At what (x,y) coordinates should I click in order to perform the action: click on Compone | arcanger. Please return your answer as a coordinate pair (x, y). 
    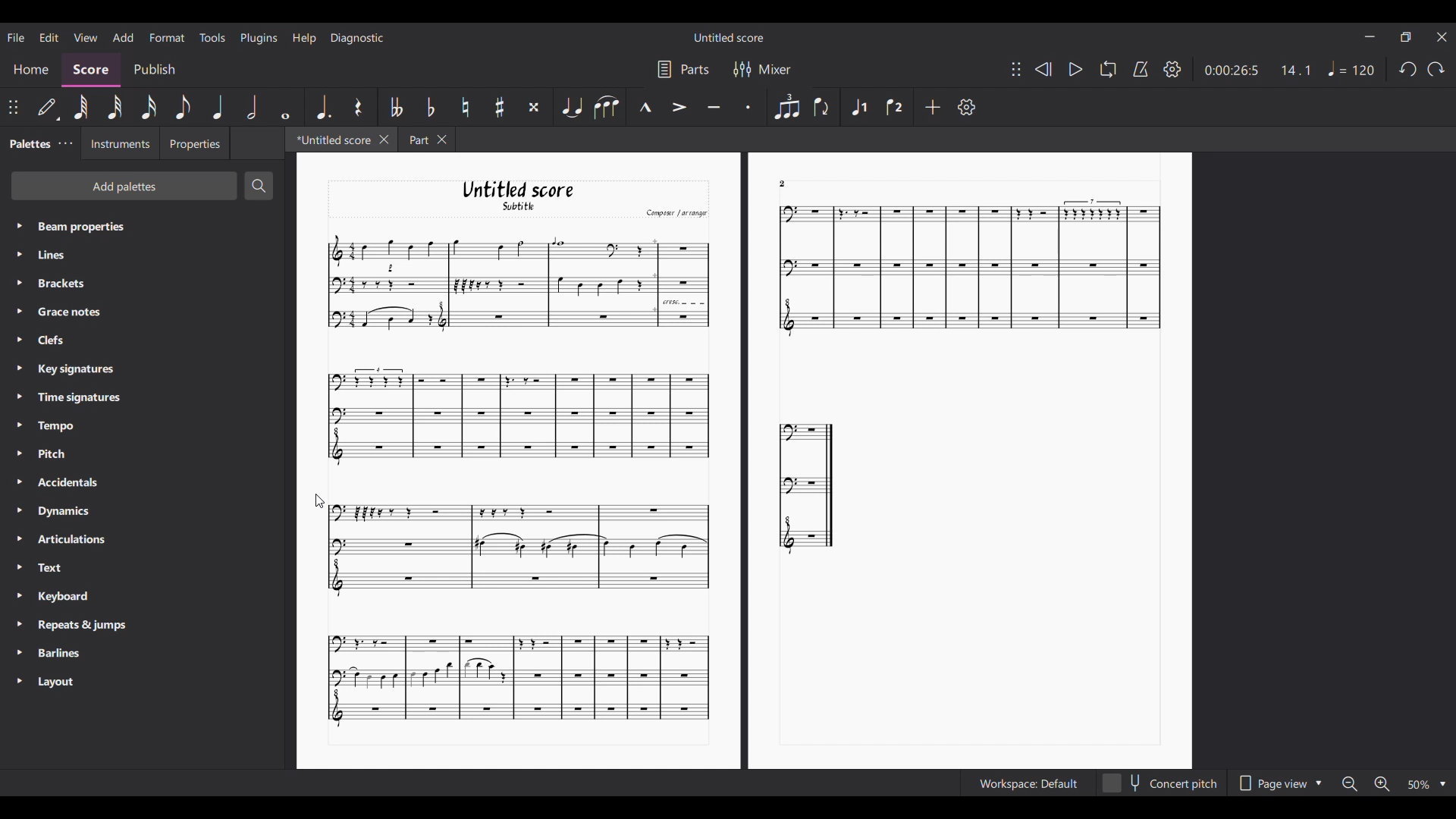
    Looking at the image, I should click on (676, 215).